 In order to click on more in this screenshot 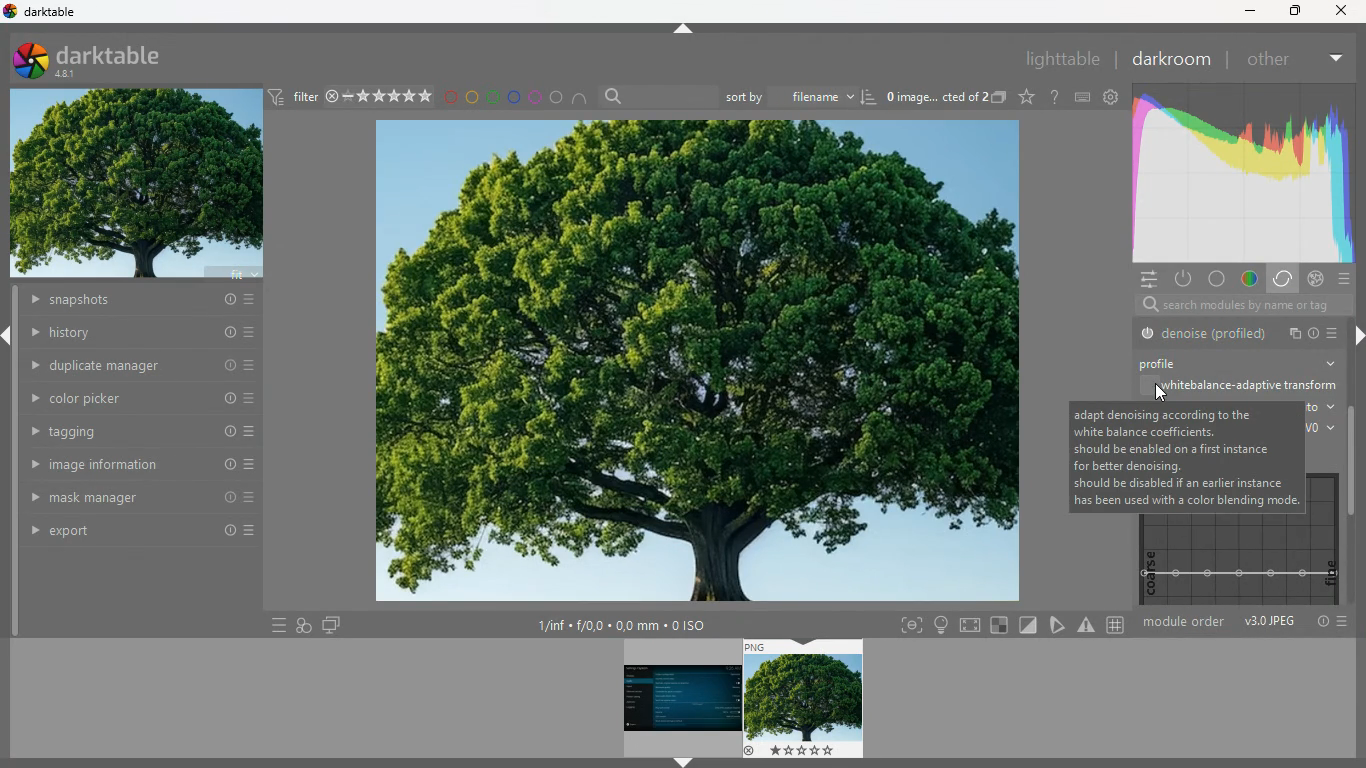, I will do `click(1338, 55)`.